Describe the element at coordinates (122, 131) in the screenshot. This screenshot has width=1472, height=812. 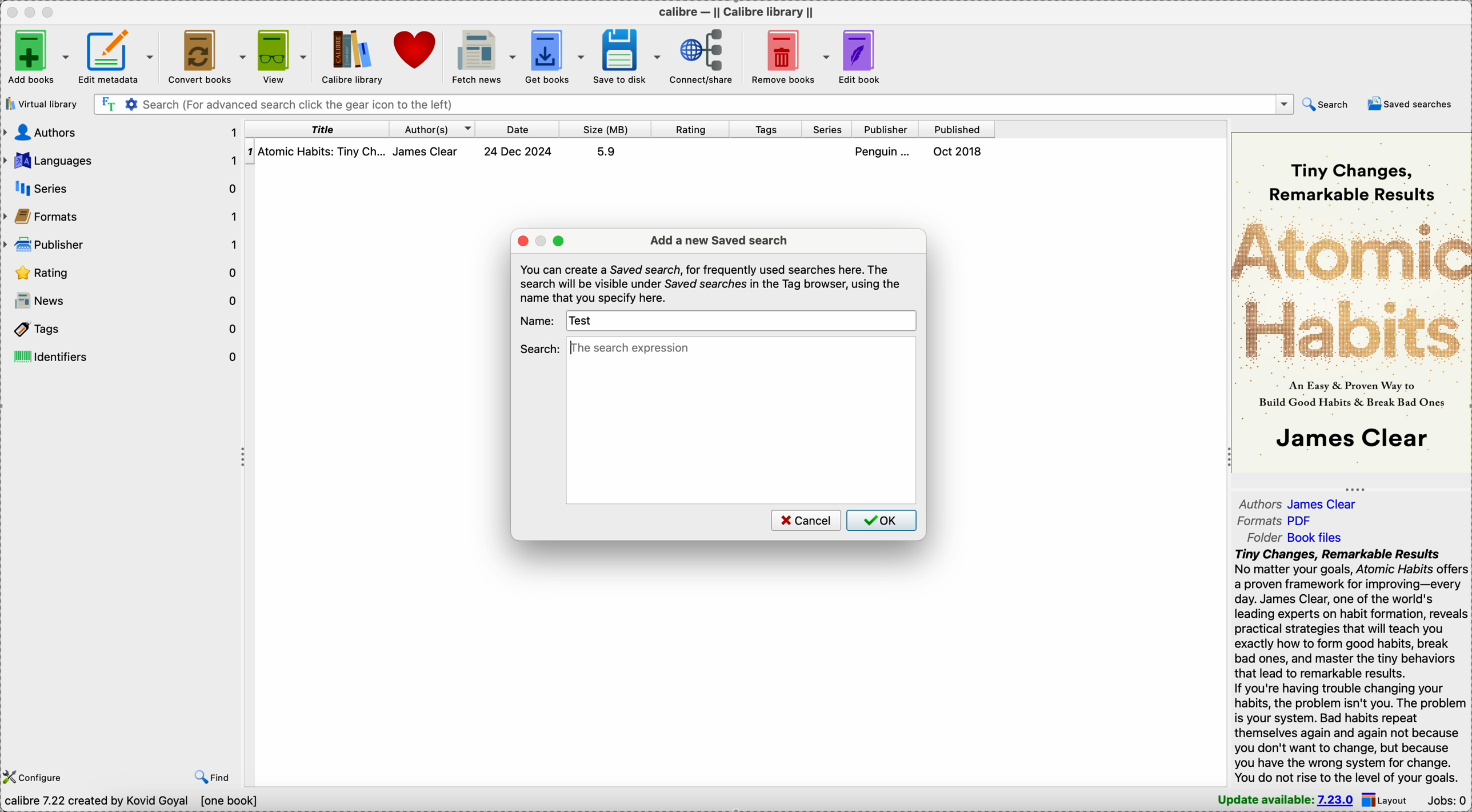
I see `authors` at that location.